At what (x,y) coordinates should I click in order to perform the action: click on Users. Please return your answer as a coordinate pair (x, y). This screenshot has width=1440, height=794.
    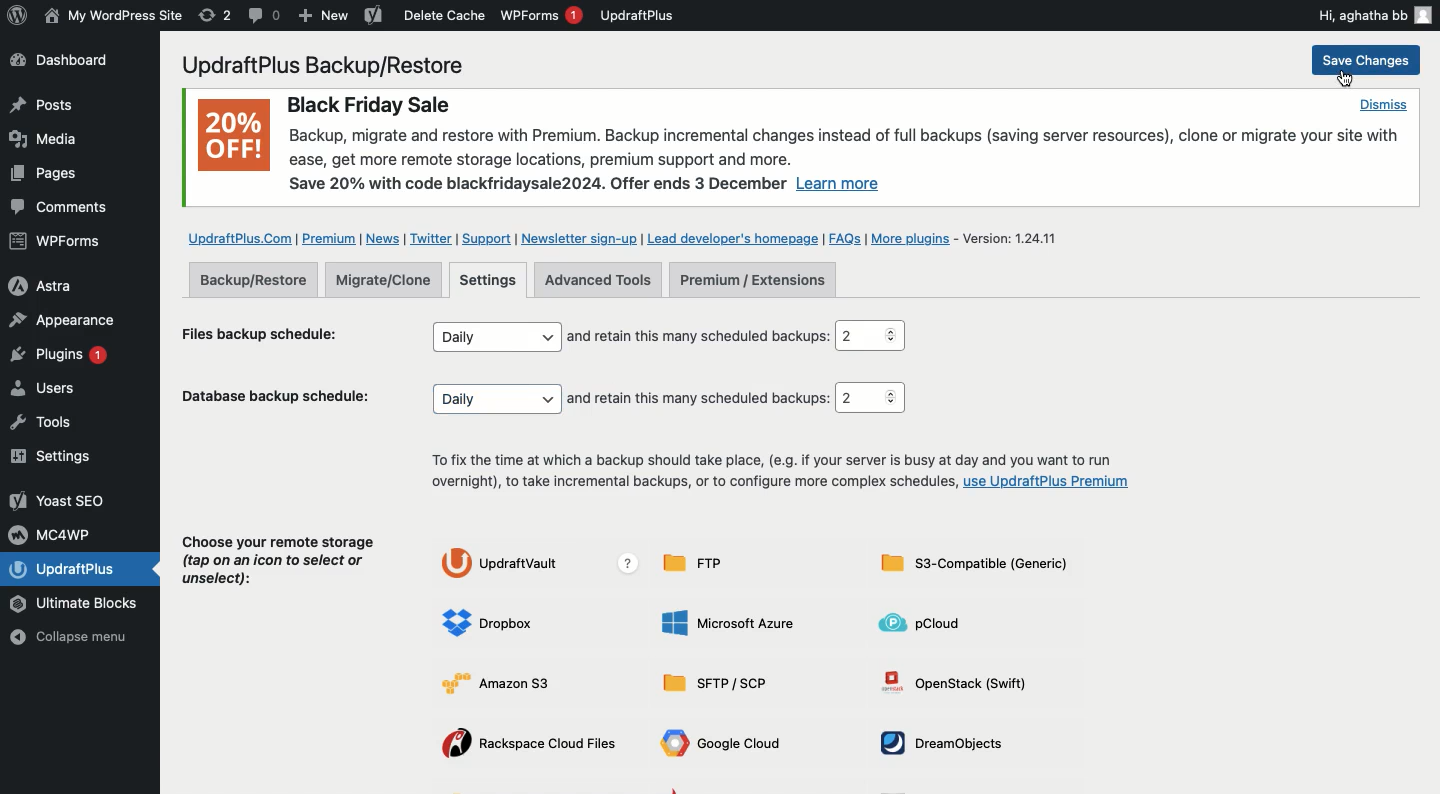
    Looking at the image, I should click on (63, 391).